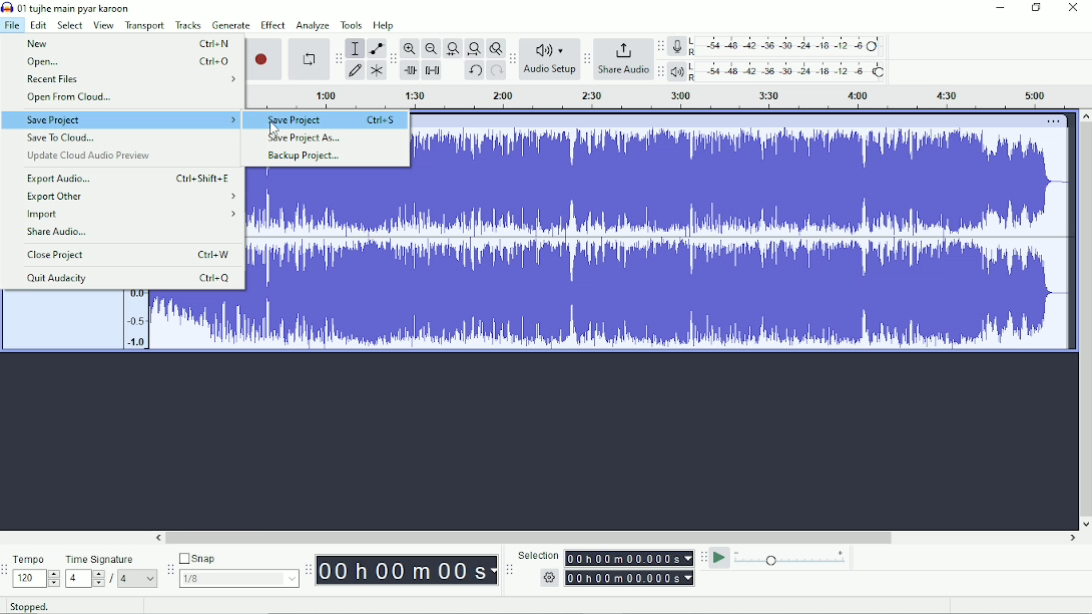 The width and height of the screenshot is (1092, 614). I want to click on Snap, so click(237, 570).